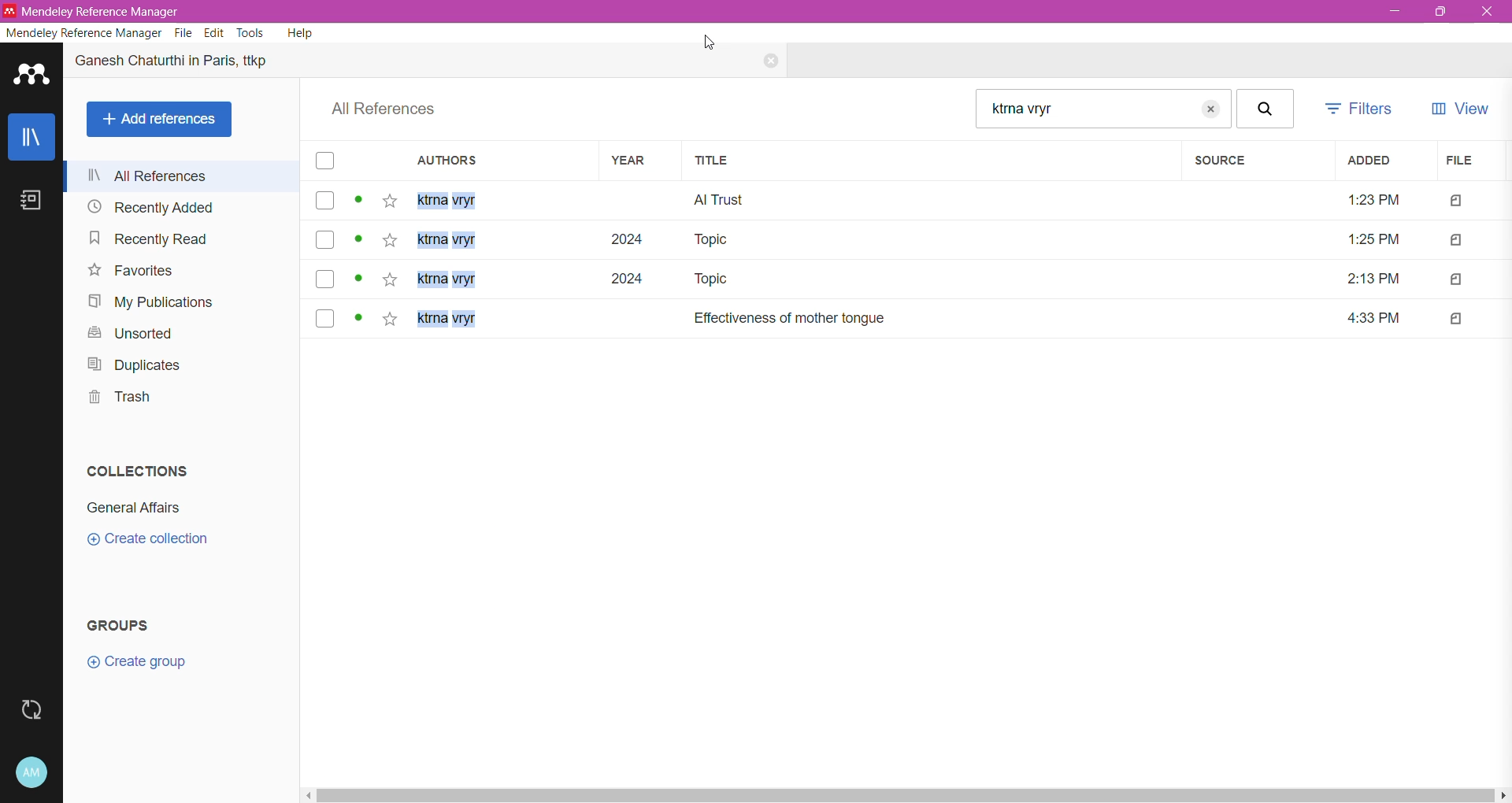  Describe the element at coordinates (1381, 161) in the screenshot. I see `Added` at that location.